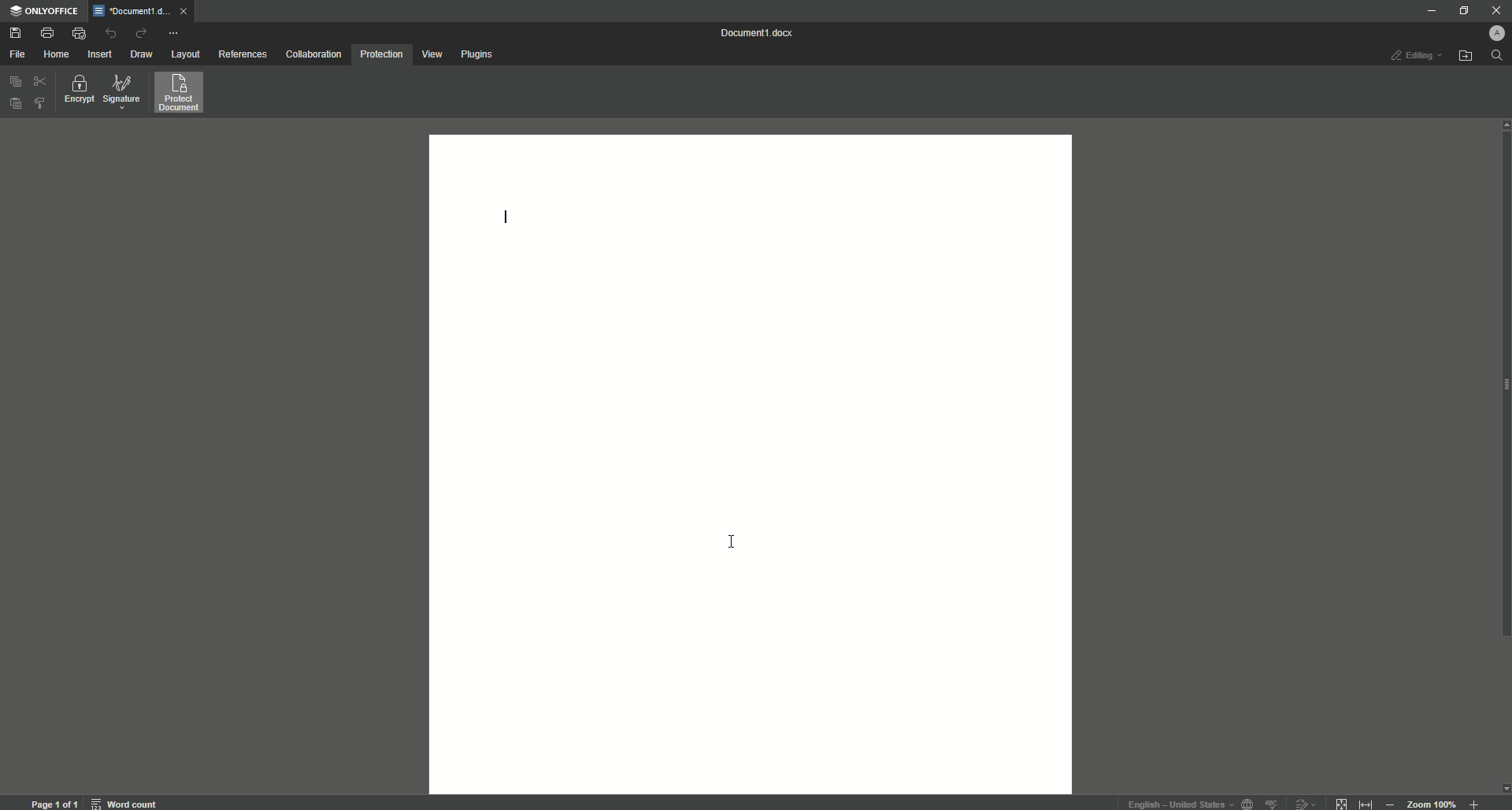 The height and width of the screenshot is (810, 1512). I want to click on zoom 100%, so click(1433, 801).